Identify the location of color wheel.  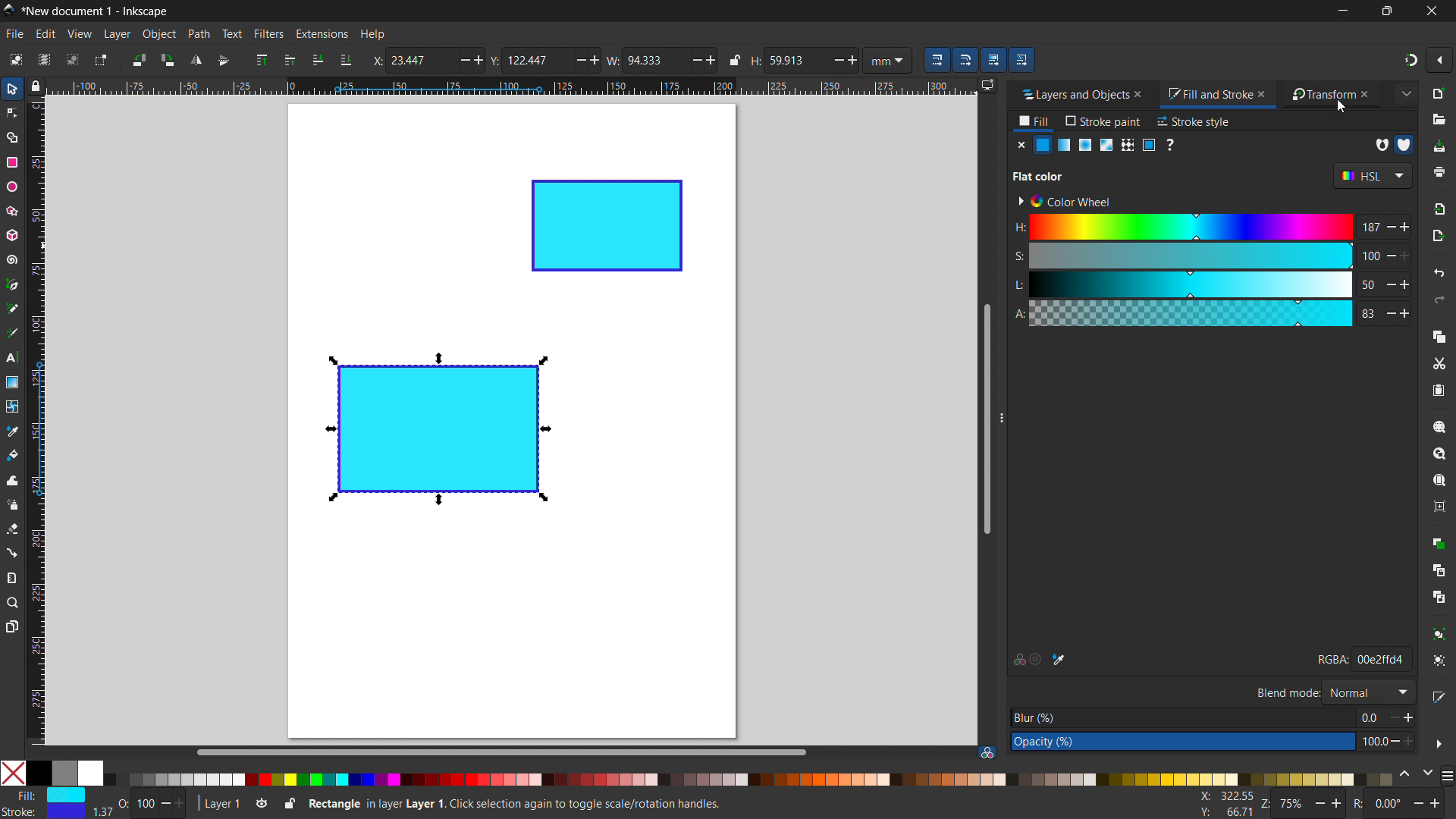
(1063, 202).